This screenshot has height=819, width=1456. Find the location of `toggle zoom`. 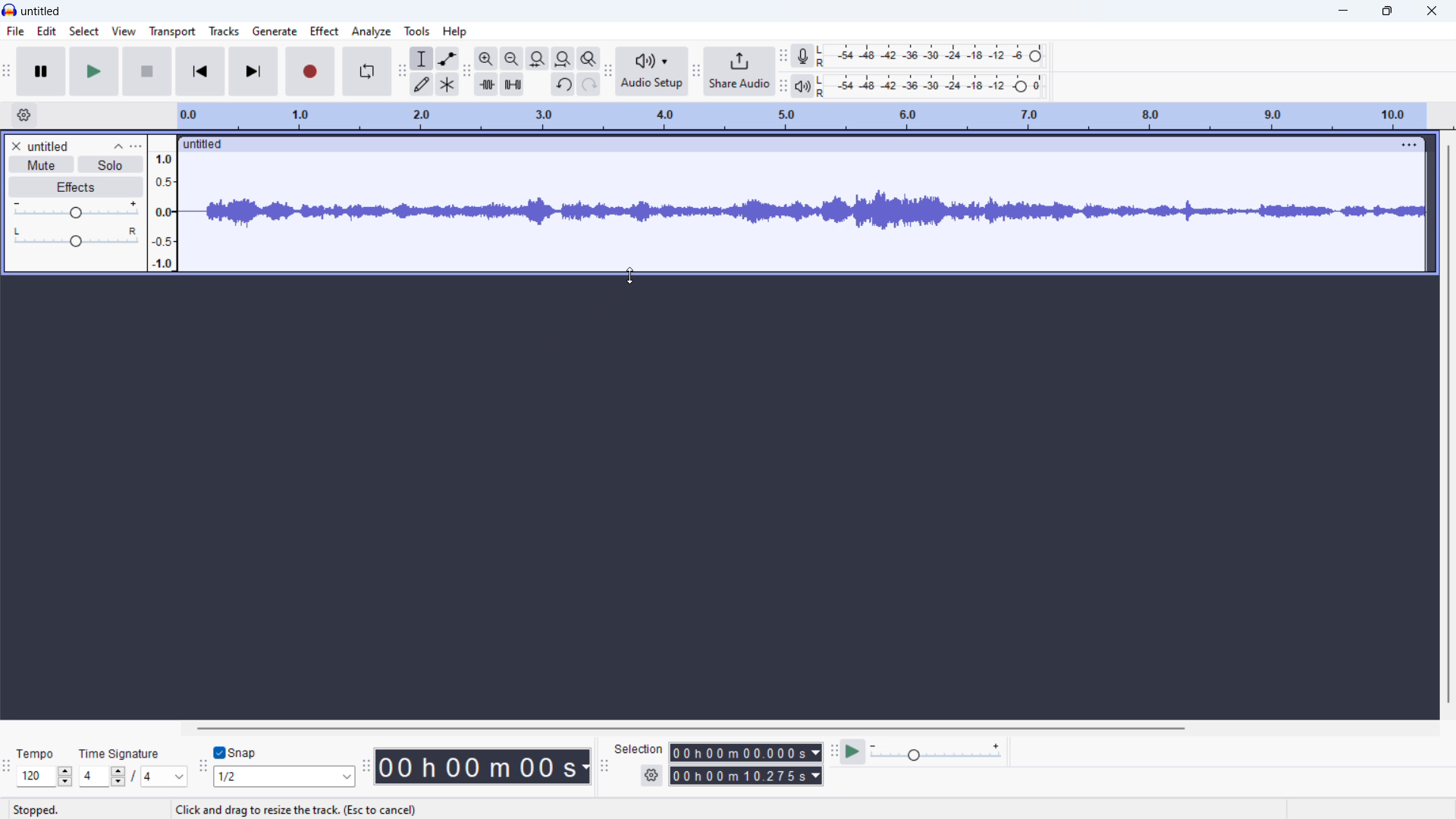

toggle zoom is located at coordinates (588, 58).